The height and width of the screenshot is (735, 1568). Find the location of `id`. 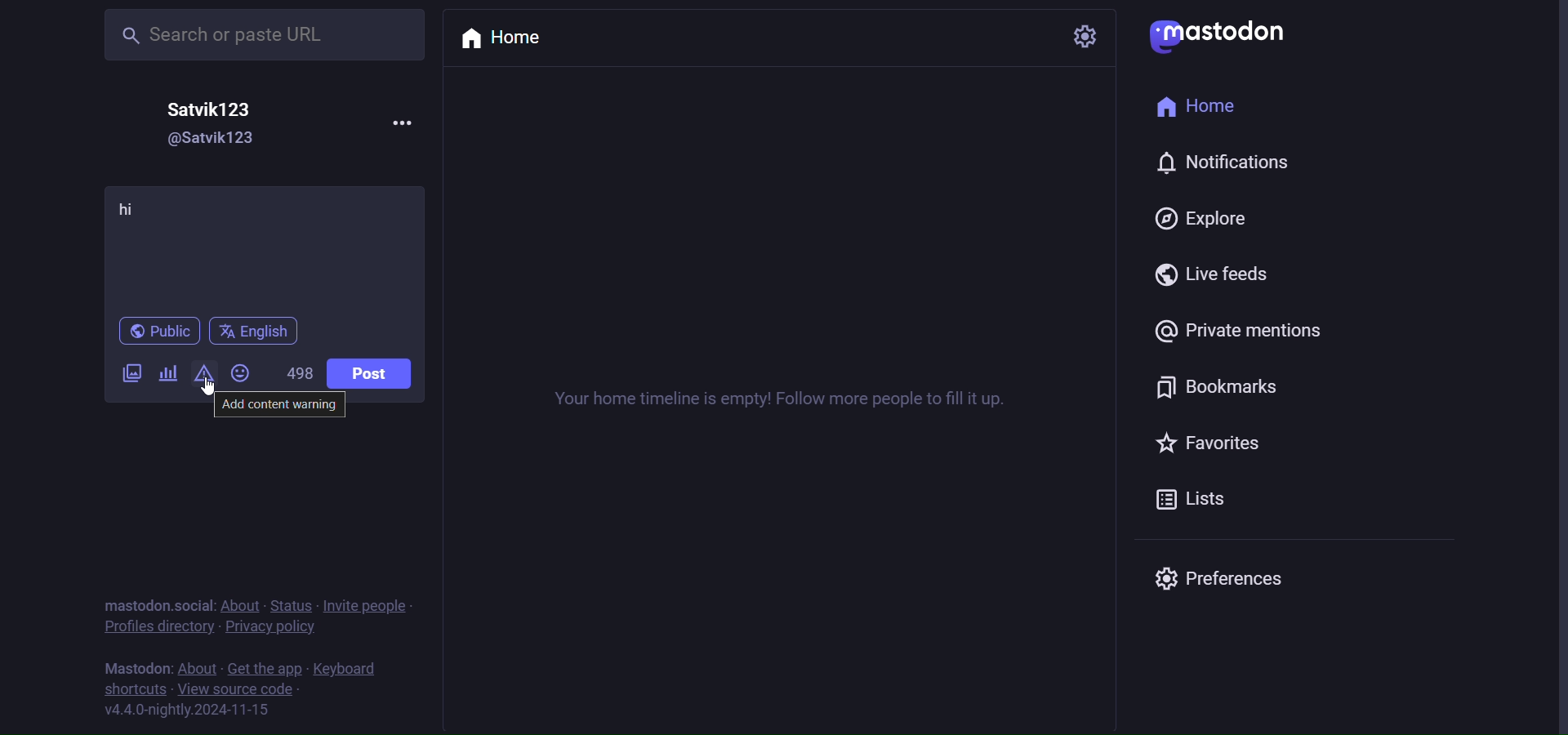

id is located at coordinates (198, 140).